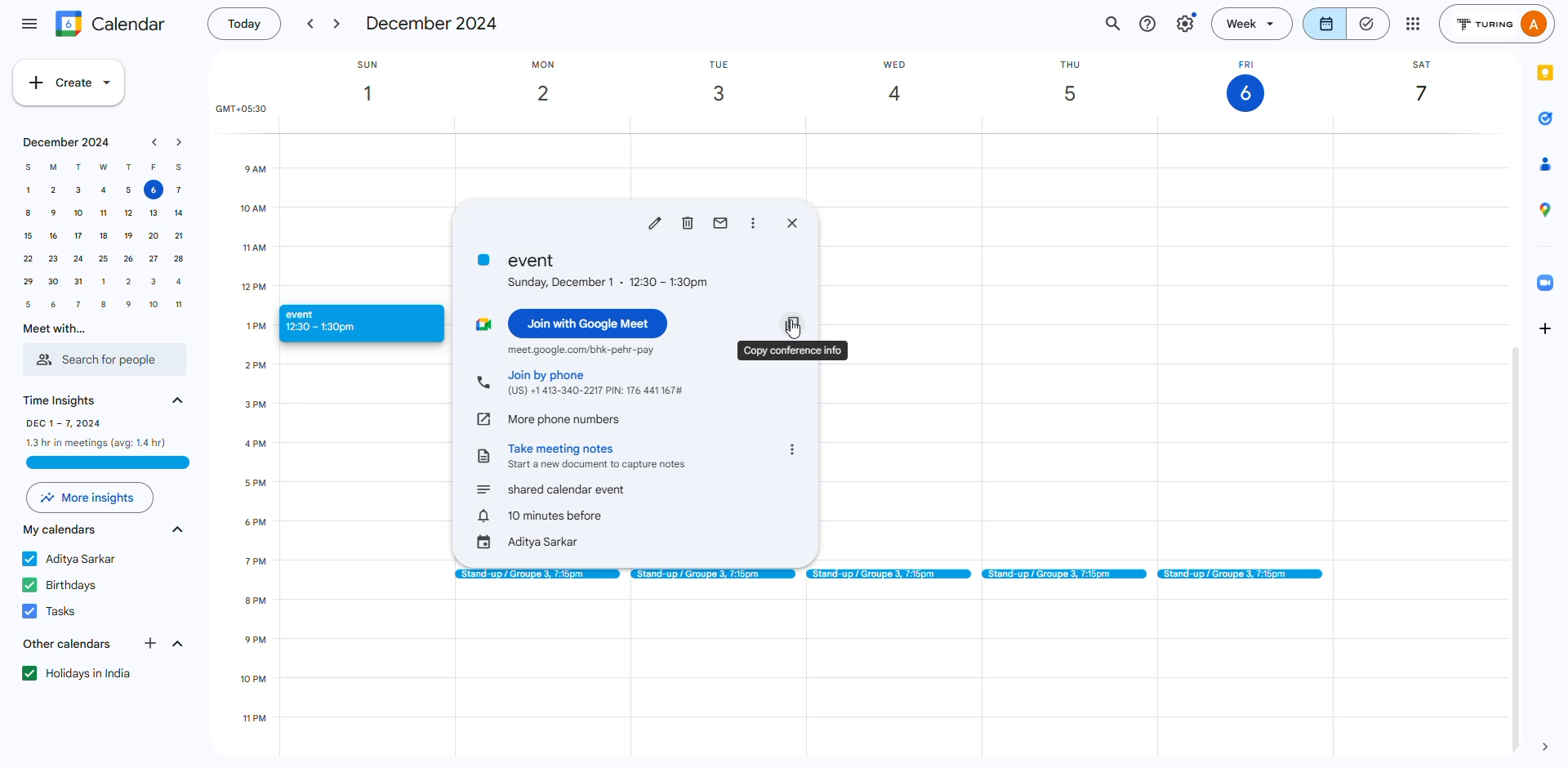  I want to click on link, so click(484, 417).